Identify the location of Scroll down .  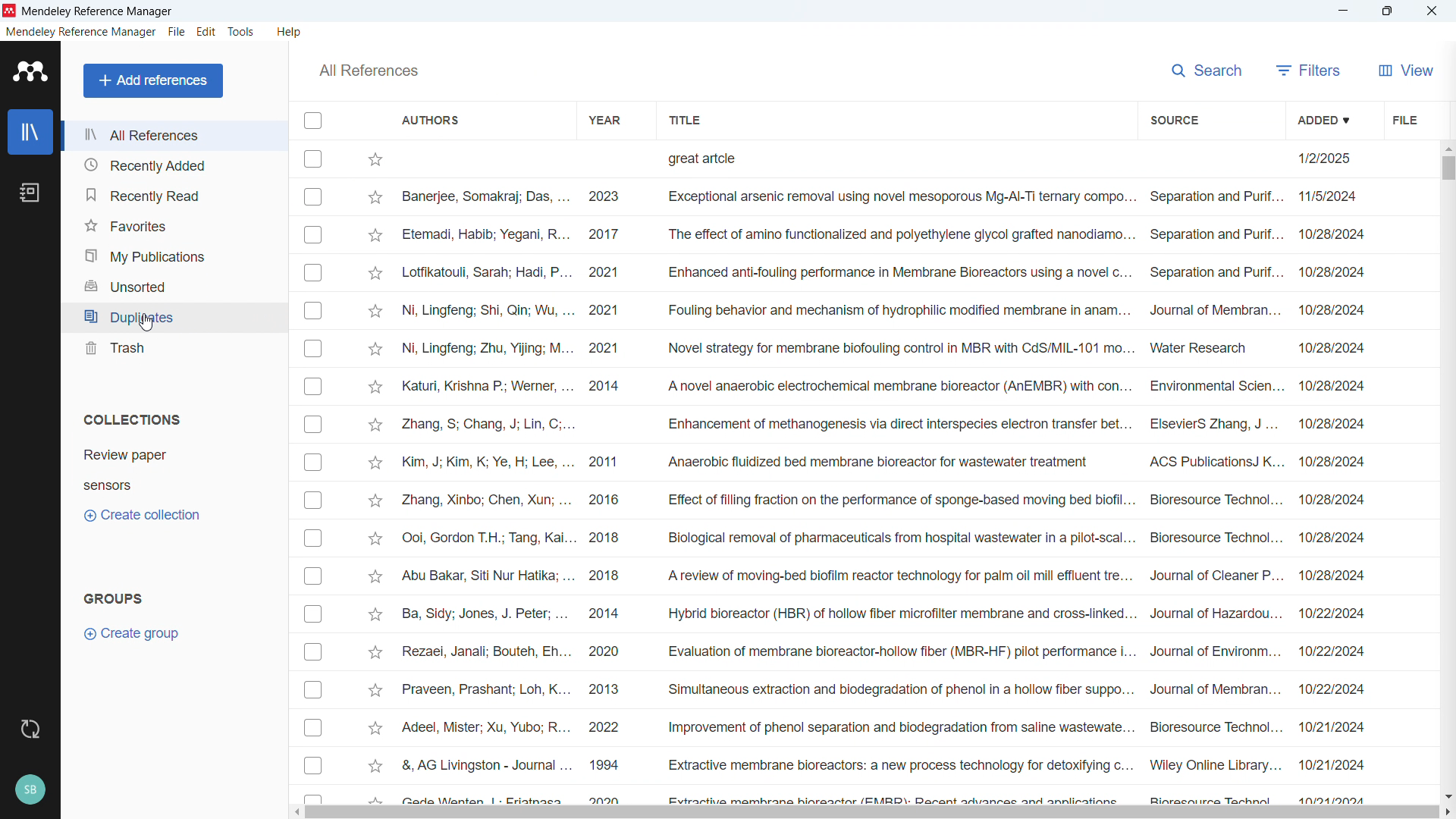
(1445, 795).